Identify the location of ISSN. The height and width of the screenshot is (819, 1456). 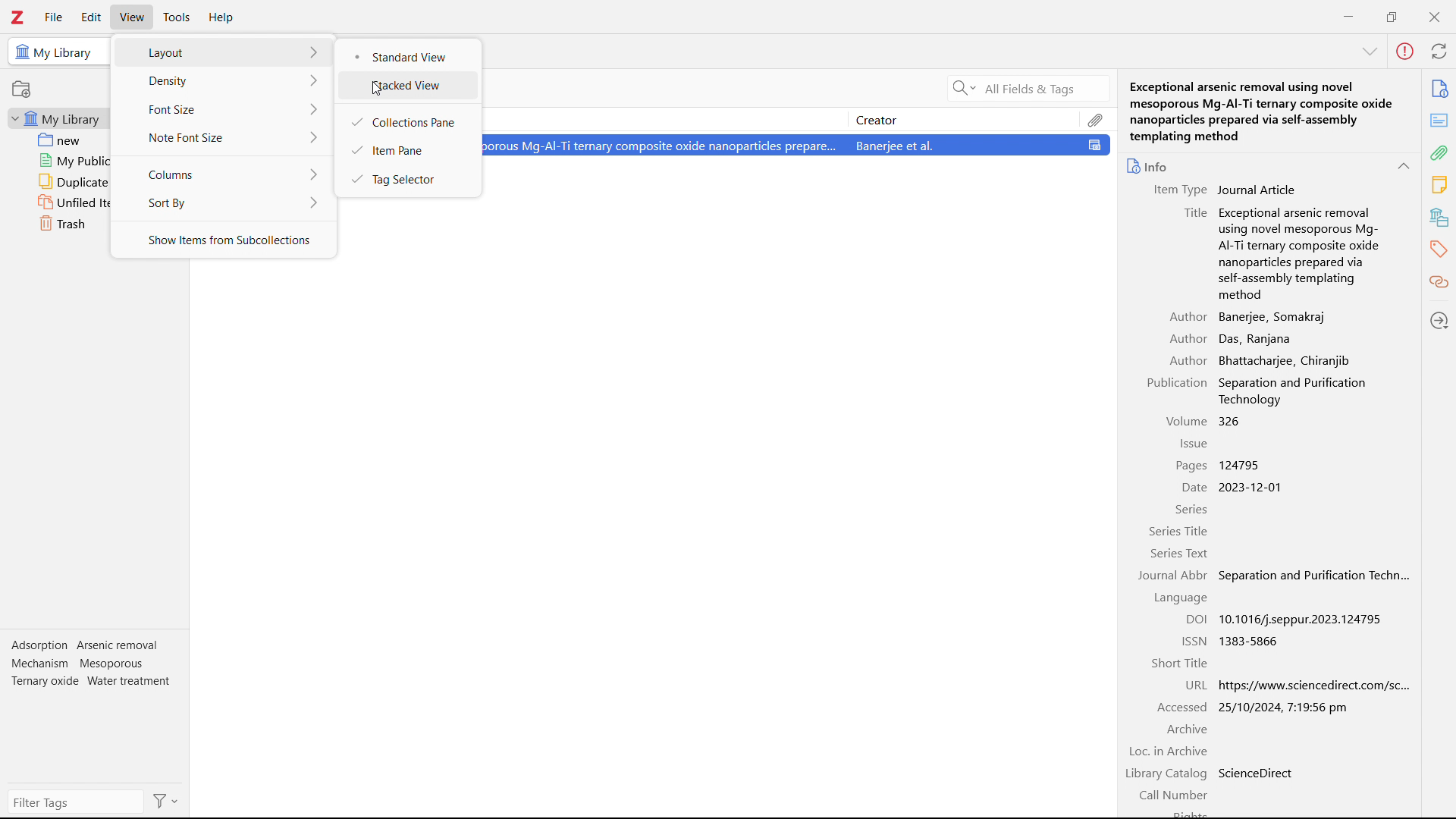
(1194, 640).